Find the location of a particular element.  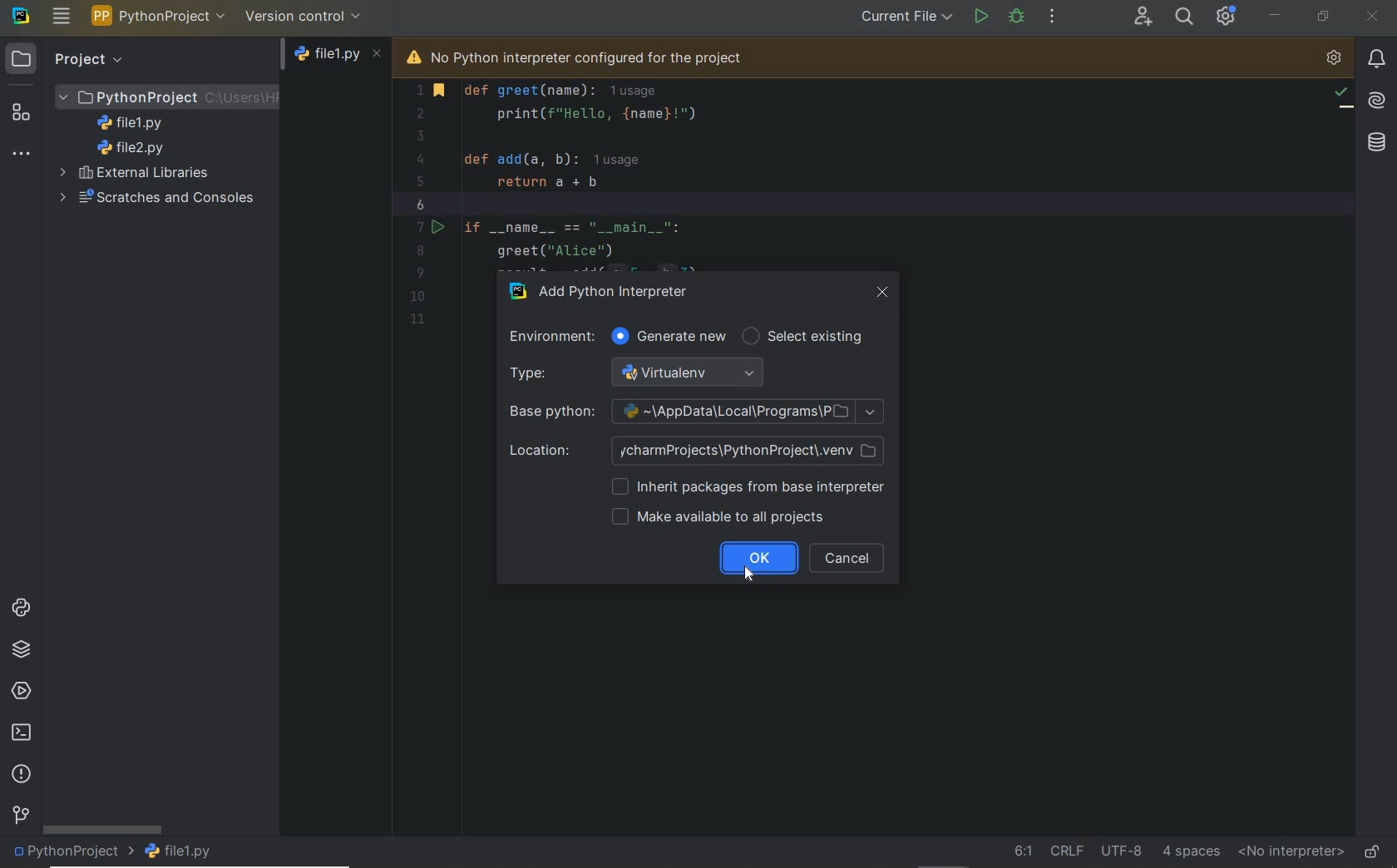

version control is located at coordinates (20, 816).